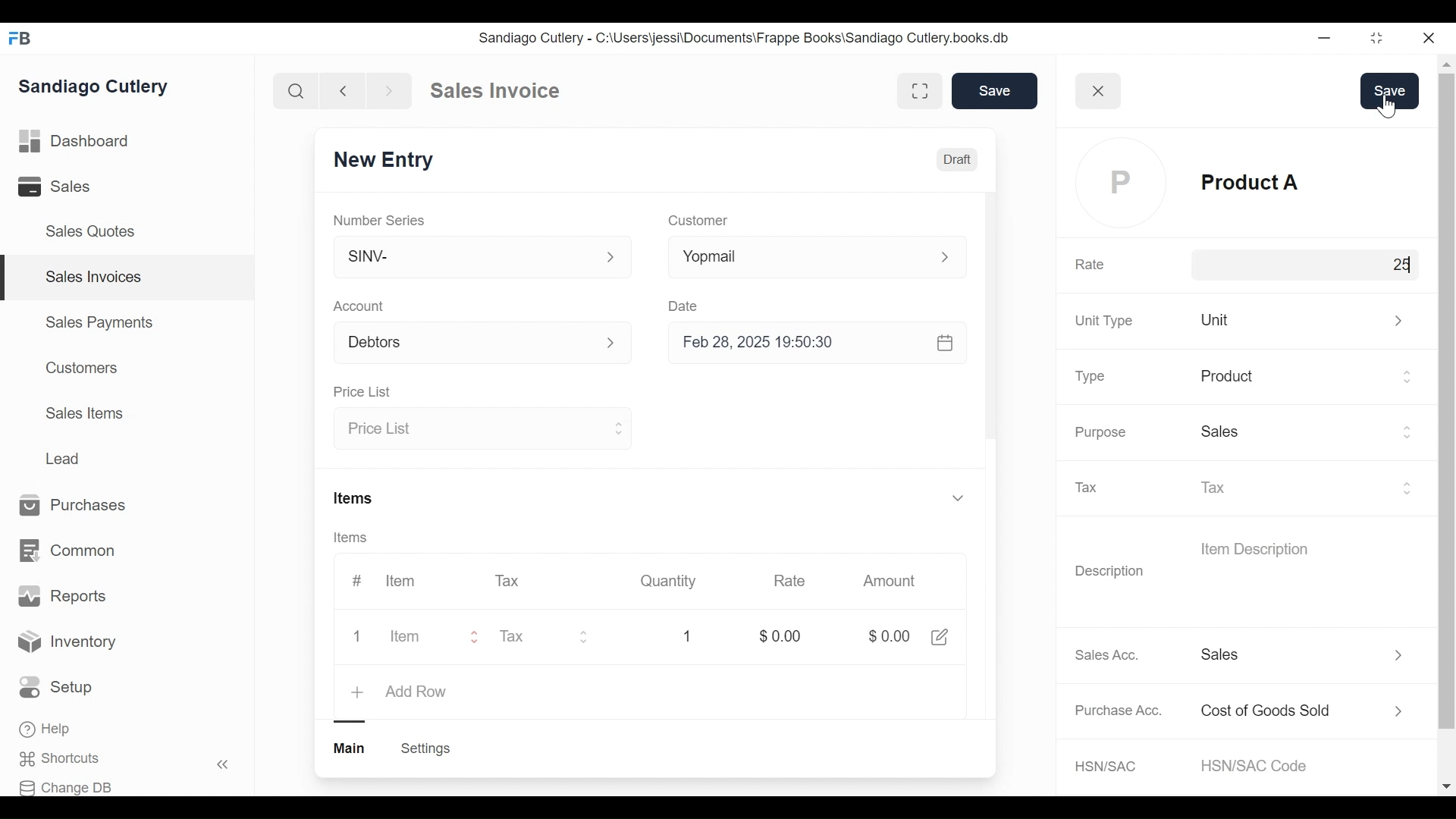  What do you see at coordinates (1110, 573) in the screenshot?
I see `Description` at bounding box center [1110, 573].